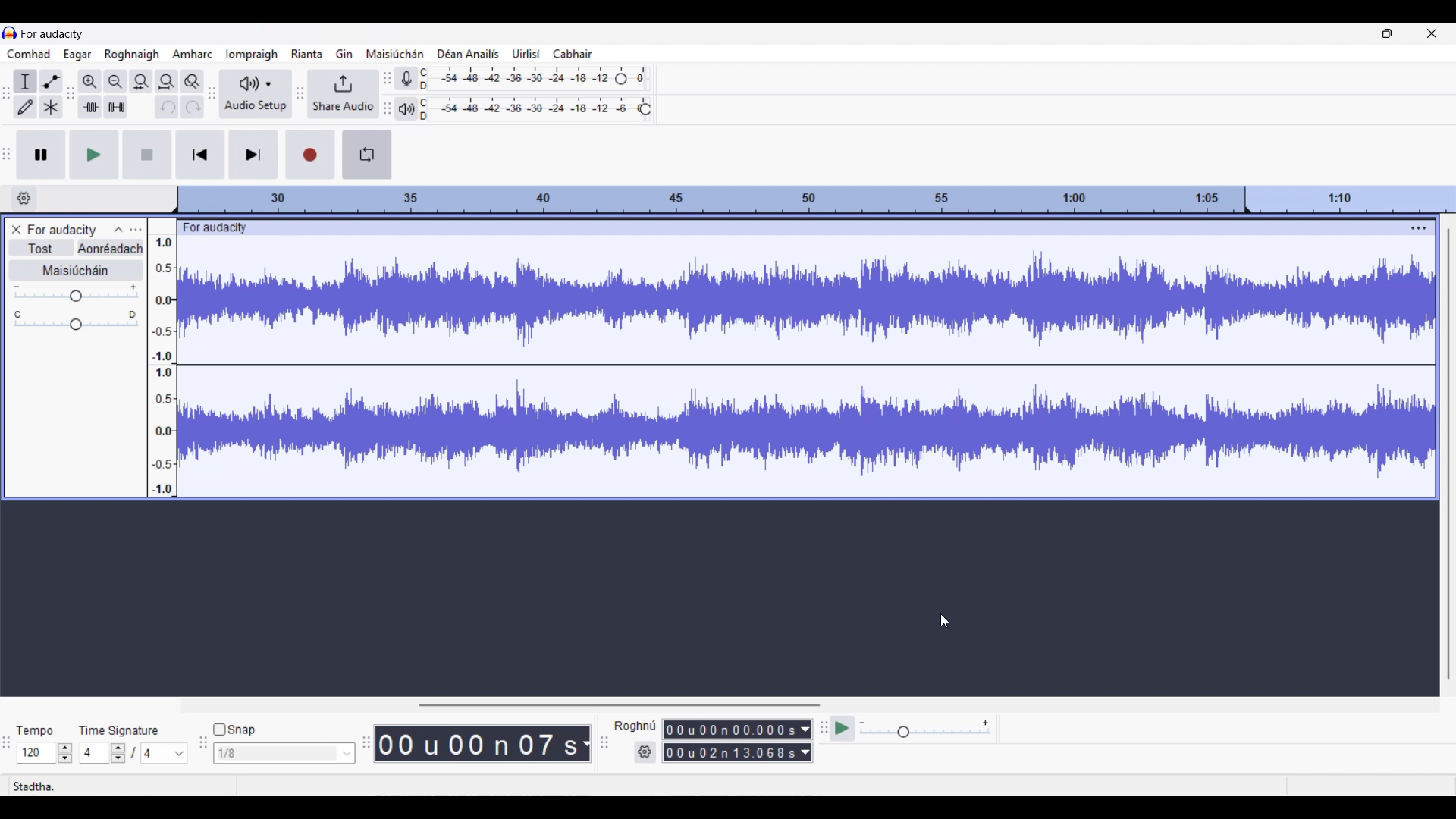  Describe the element at coordinates (117, 106) in the screenshot. I see `Silence audio selection` at that location.